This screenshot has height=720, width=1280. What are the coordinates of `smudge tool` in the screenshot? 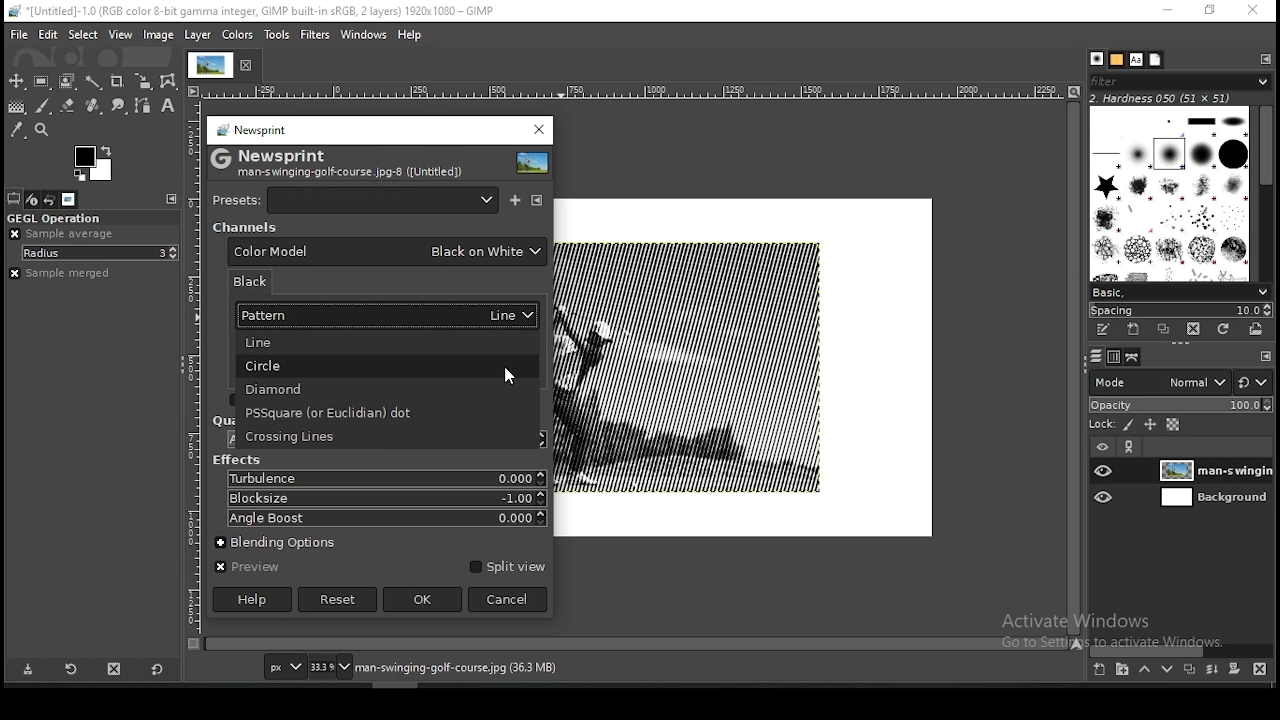 It's located at (119, 105).